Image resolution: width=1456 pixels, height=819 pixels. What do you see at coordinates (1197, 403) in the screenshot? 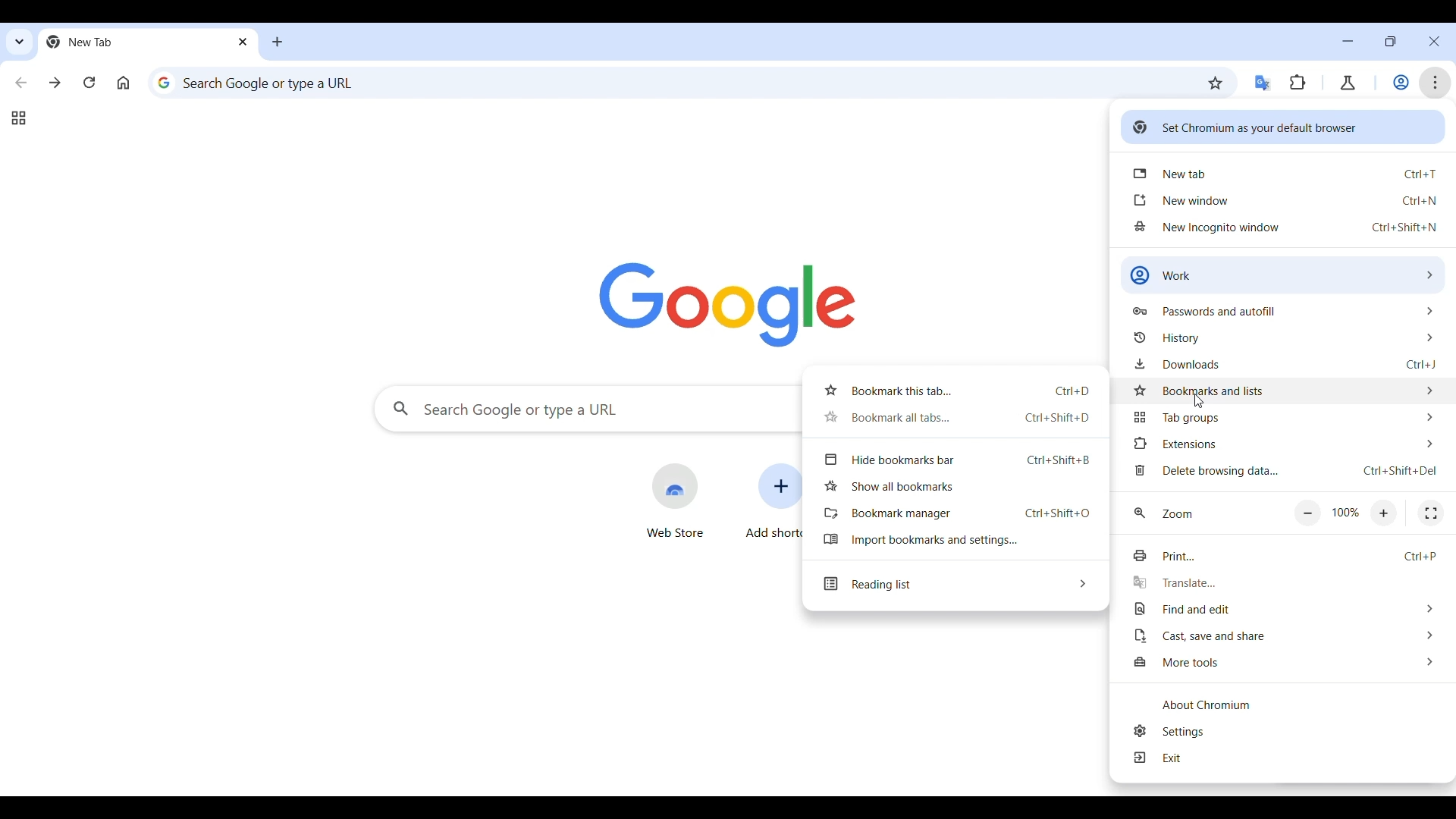
I see `Cursor` at bounding box center [1197, 403].